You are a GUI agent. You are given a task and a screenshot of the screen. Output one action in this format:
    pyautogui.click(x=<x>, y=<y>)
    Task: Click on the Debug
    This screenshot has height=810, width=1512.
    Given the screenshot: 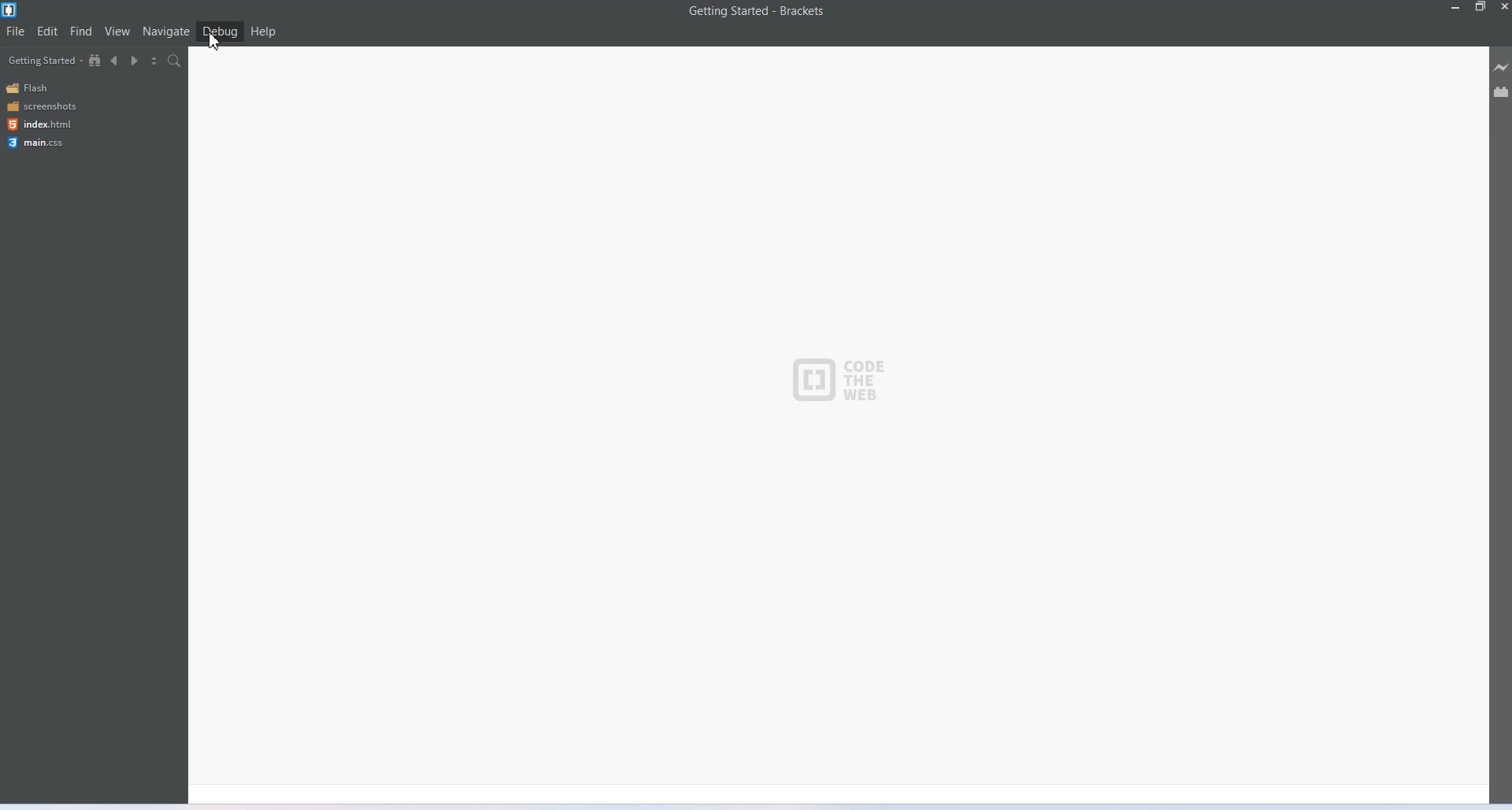 What is the action you would take?
    pyautogui.click(x=220, y=31)
    